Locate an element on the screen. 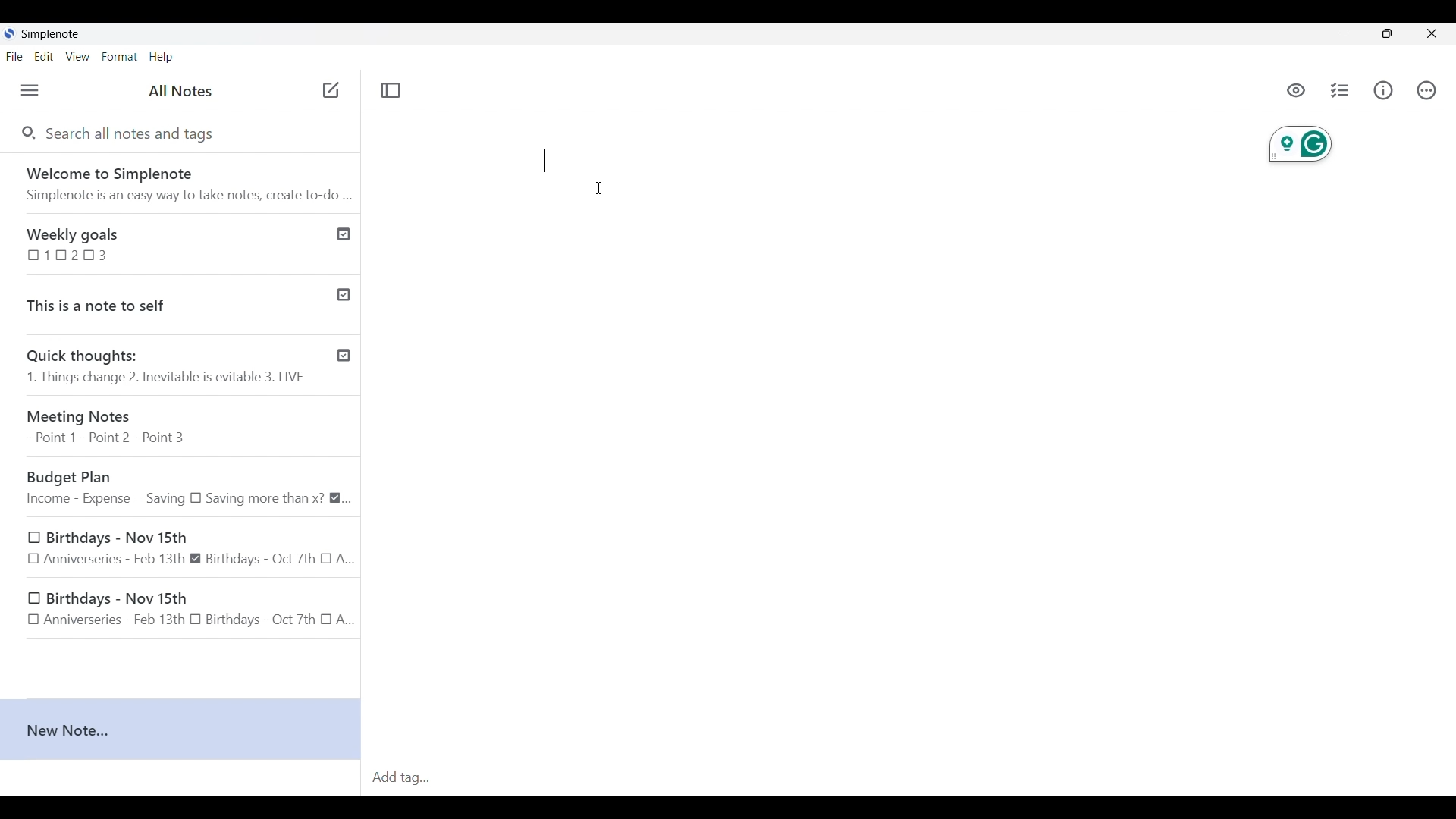 The image size is (1456, 819). Budget Plan is located at coordinates (188, 488).